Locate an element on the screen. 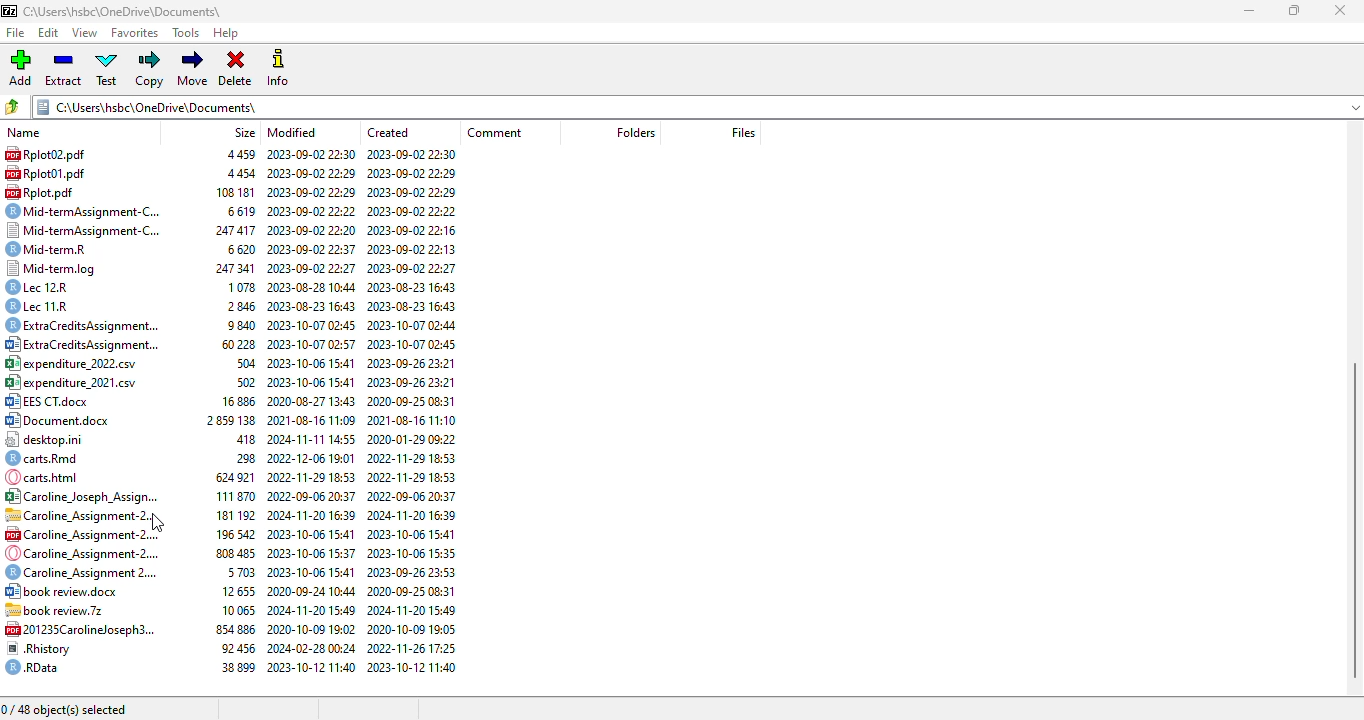 The height and width of the screenshot is (720, 1364). size is located at coordinates (245, 132).